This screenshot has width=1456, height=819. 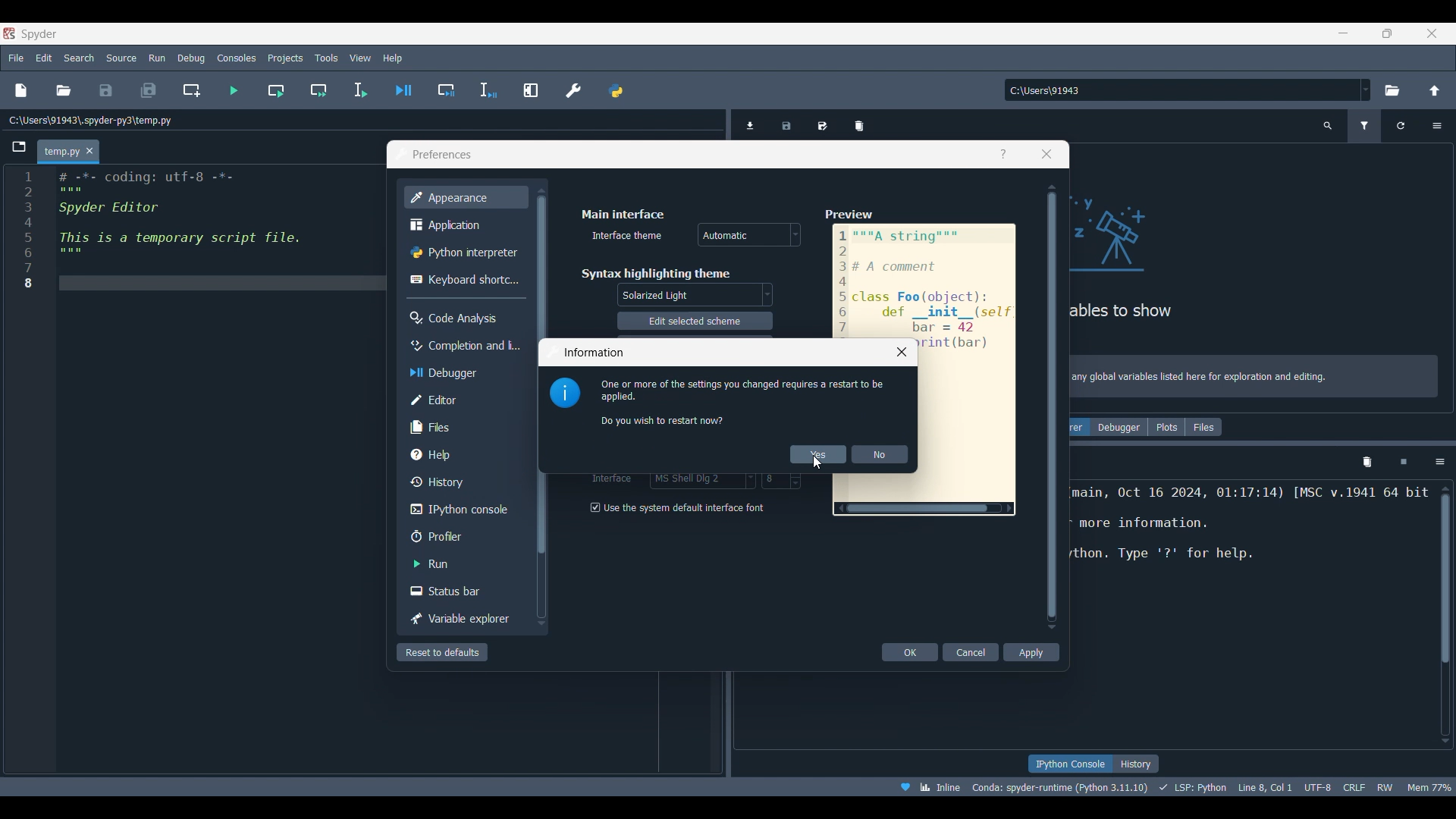 I want to click on Apply, so click(x=1032, y=652).